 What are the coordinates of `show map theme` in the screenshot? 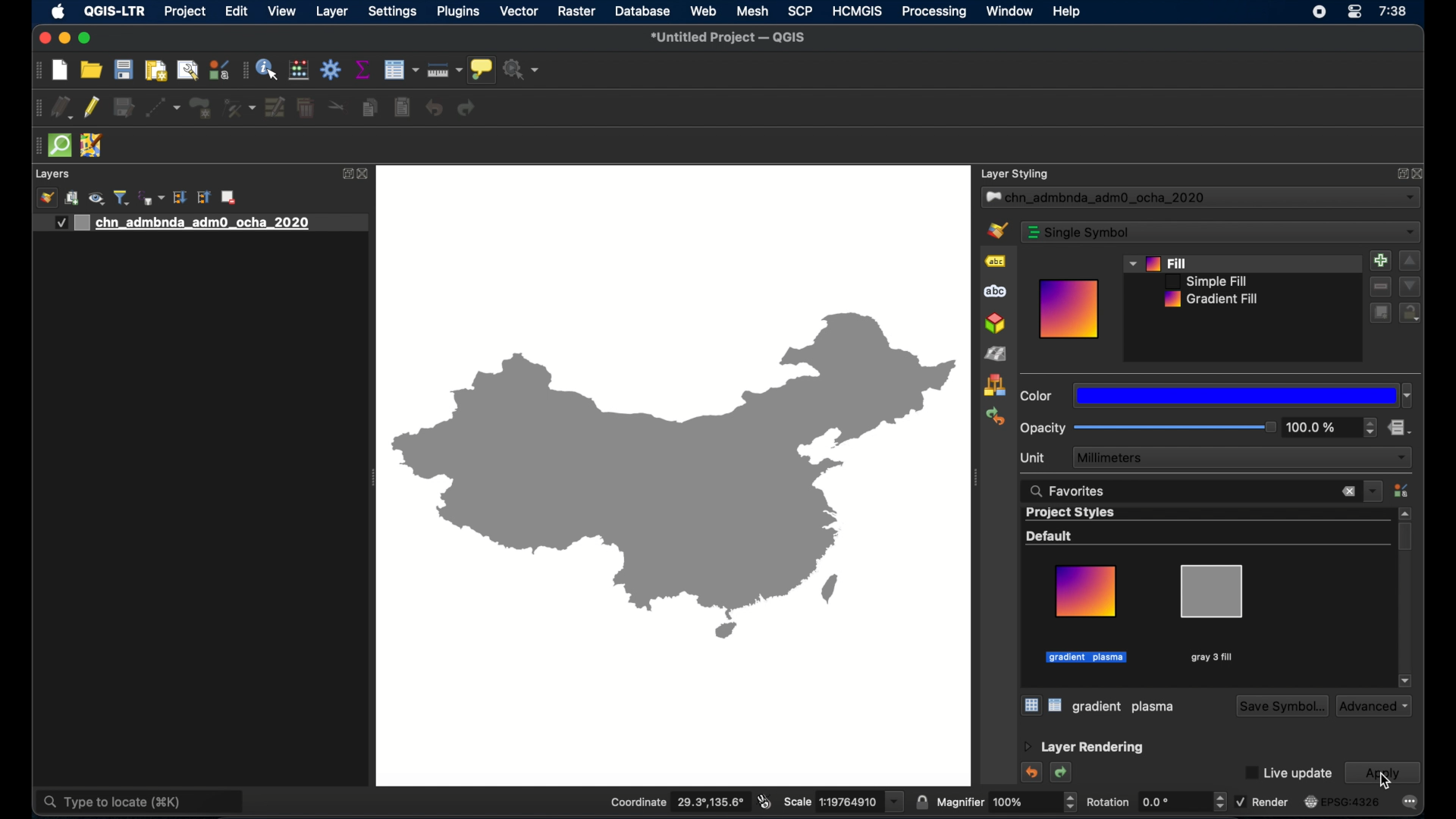 It's located at (98, 199).